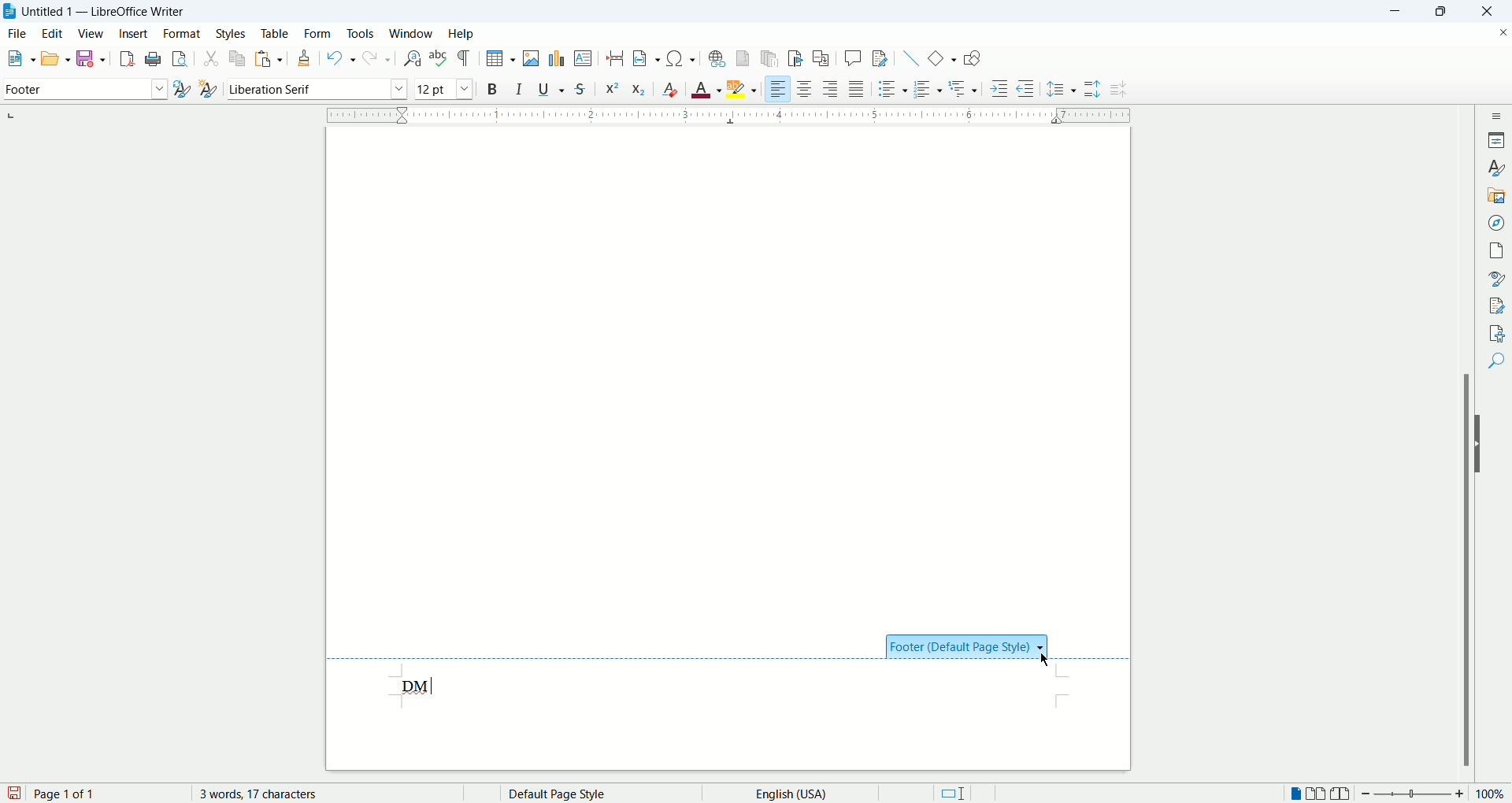 The image size is (1512, 803). I want to click on close document, so click(1499, 31).